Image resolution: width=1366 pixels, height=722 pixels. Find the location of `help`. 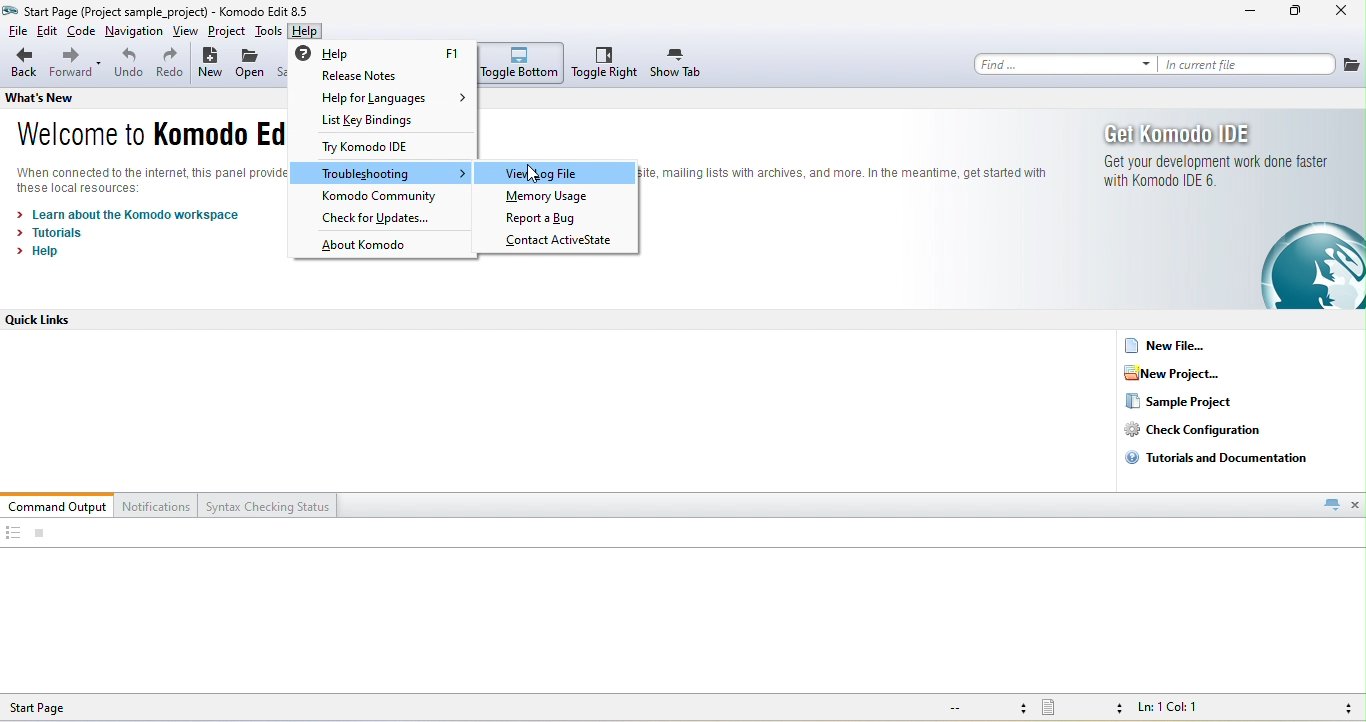

help is located at coordinates (386, 52).